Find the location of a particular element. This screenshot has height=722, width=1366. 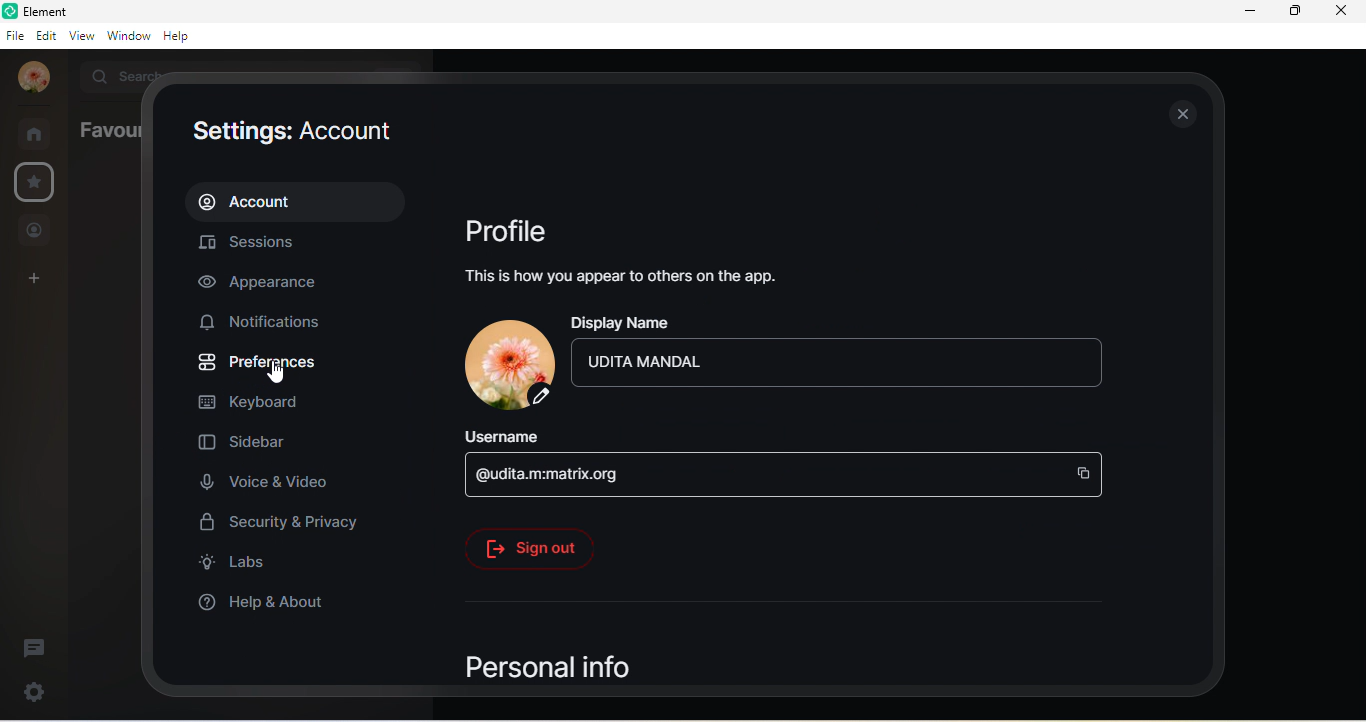

sign out is located at coordinates (530, 549).